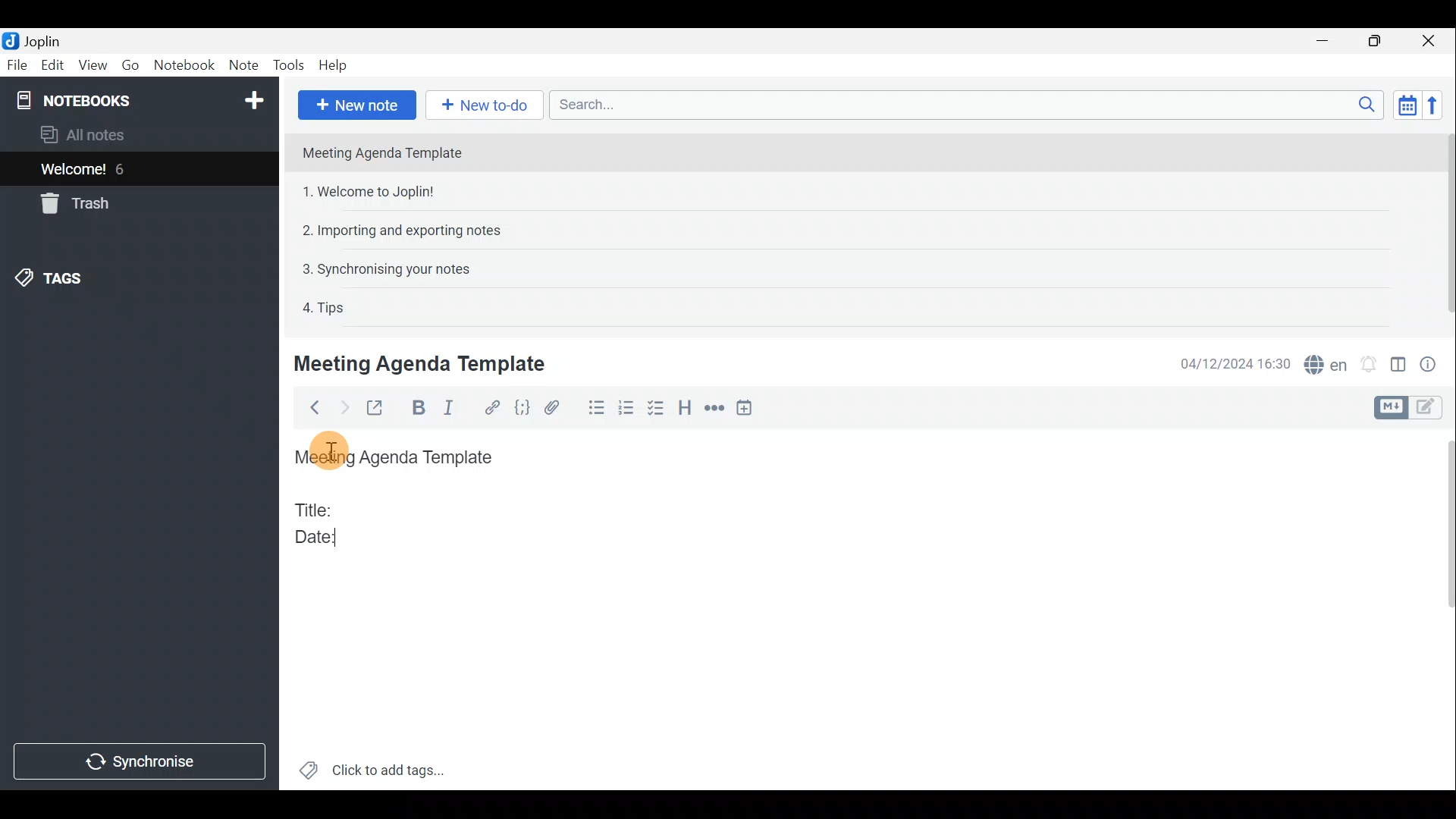 The height and width of the screenshot is (819, 1456). I want to click on Back, so click(310, 410).